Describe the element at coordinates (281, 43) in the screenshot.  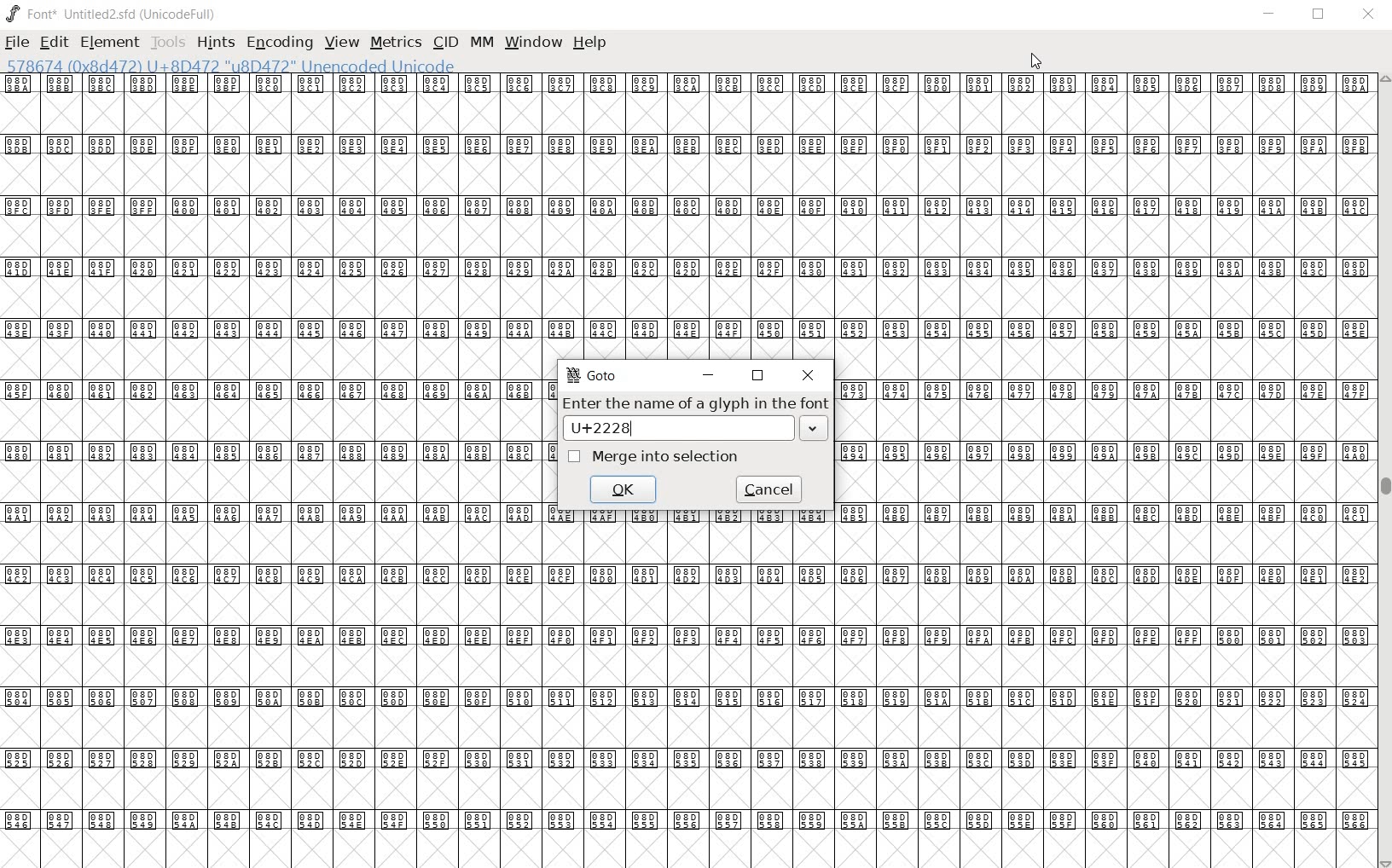
I see `encoding` at that location.